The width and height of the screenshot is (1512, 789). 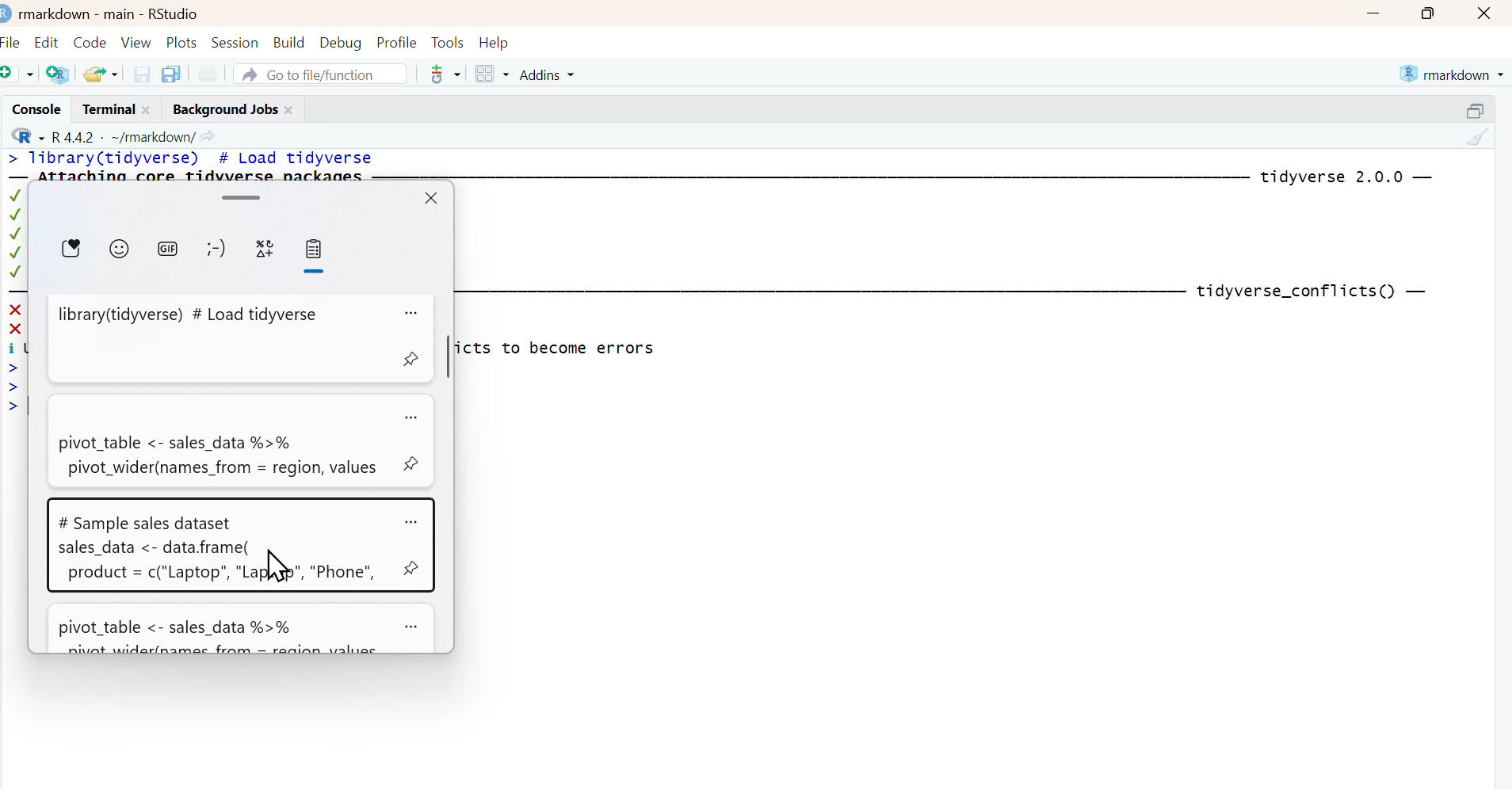 What do you see at coordinates (410, 570) in the screenshot?
I see `pin` at bounding box center [410, 570].